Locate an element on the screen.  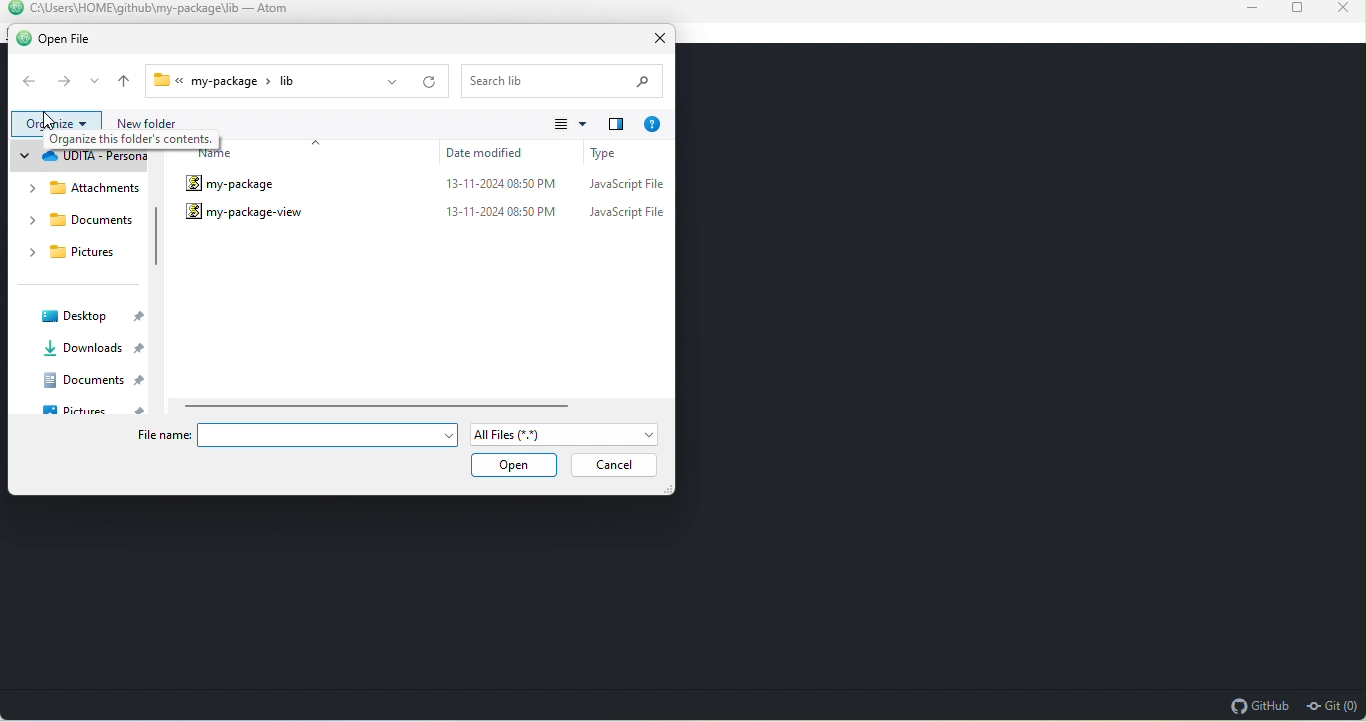
udita personal is located at coordinates (84, 156).